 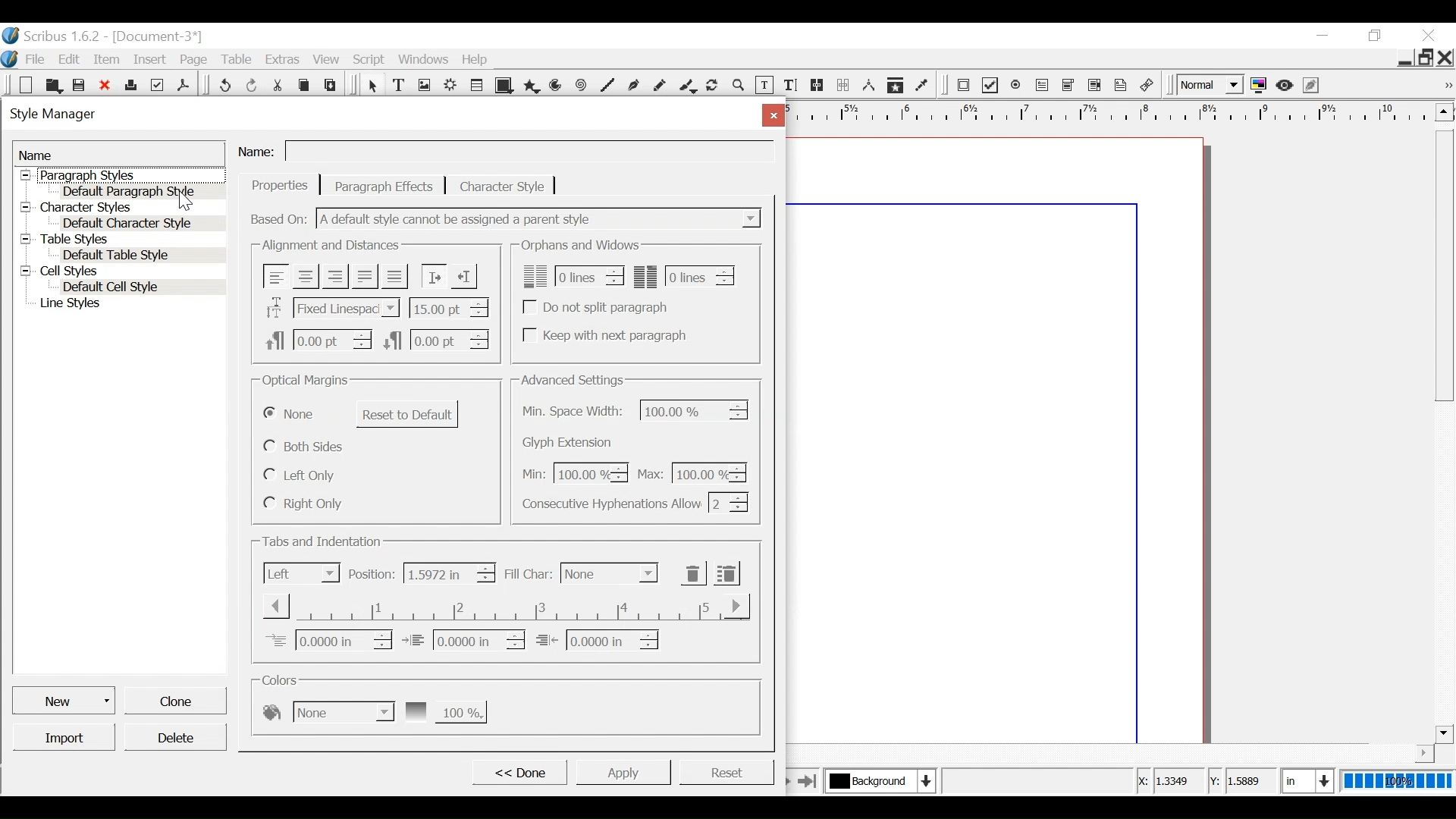 What do you see at coordinates (330, 309) in the screenshot?
I see `line Spacing mode` at bounding box center [330, 309].